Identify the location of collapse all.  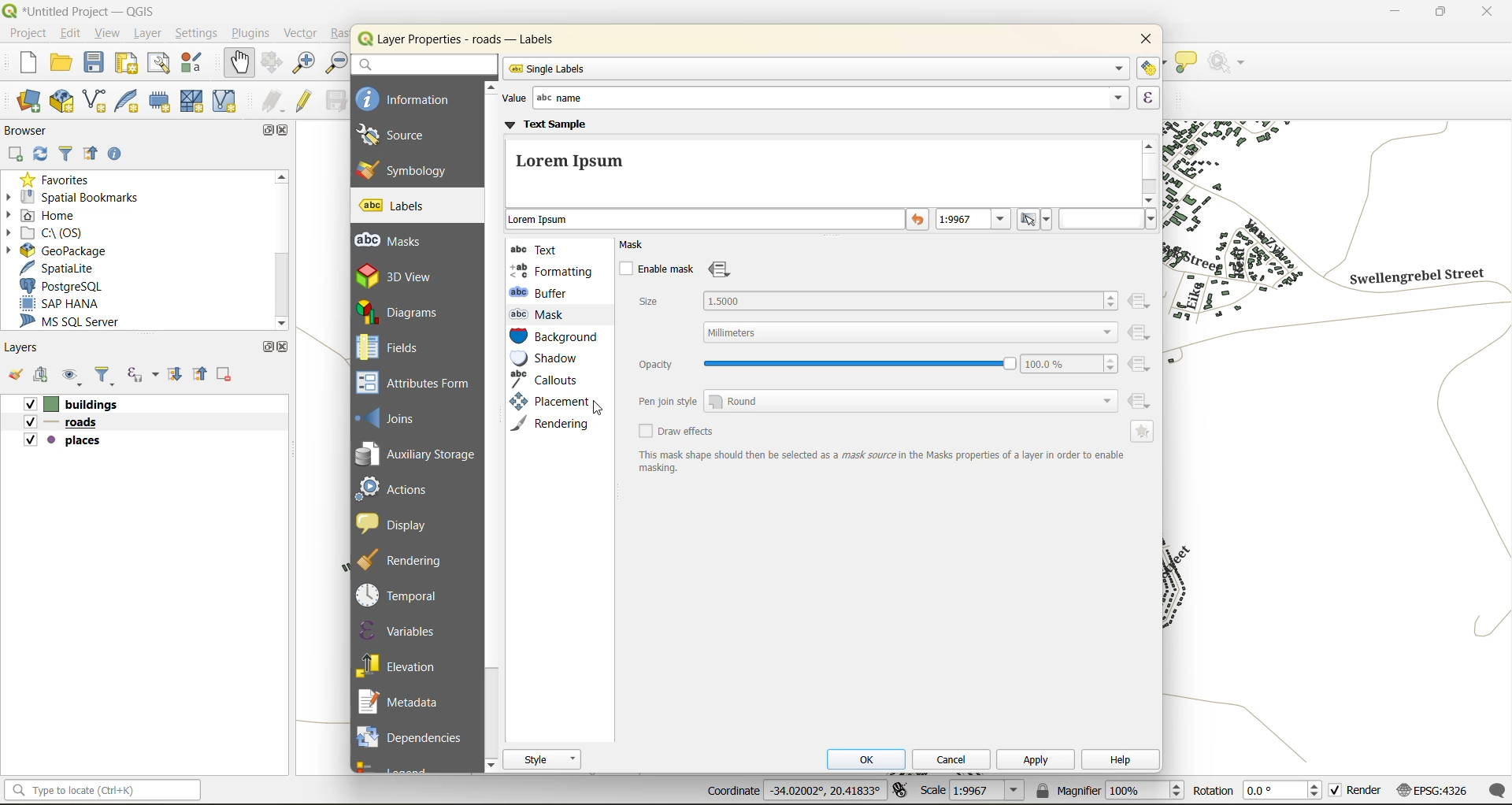
(91, 153).